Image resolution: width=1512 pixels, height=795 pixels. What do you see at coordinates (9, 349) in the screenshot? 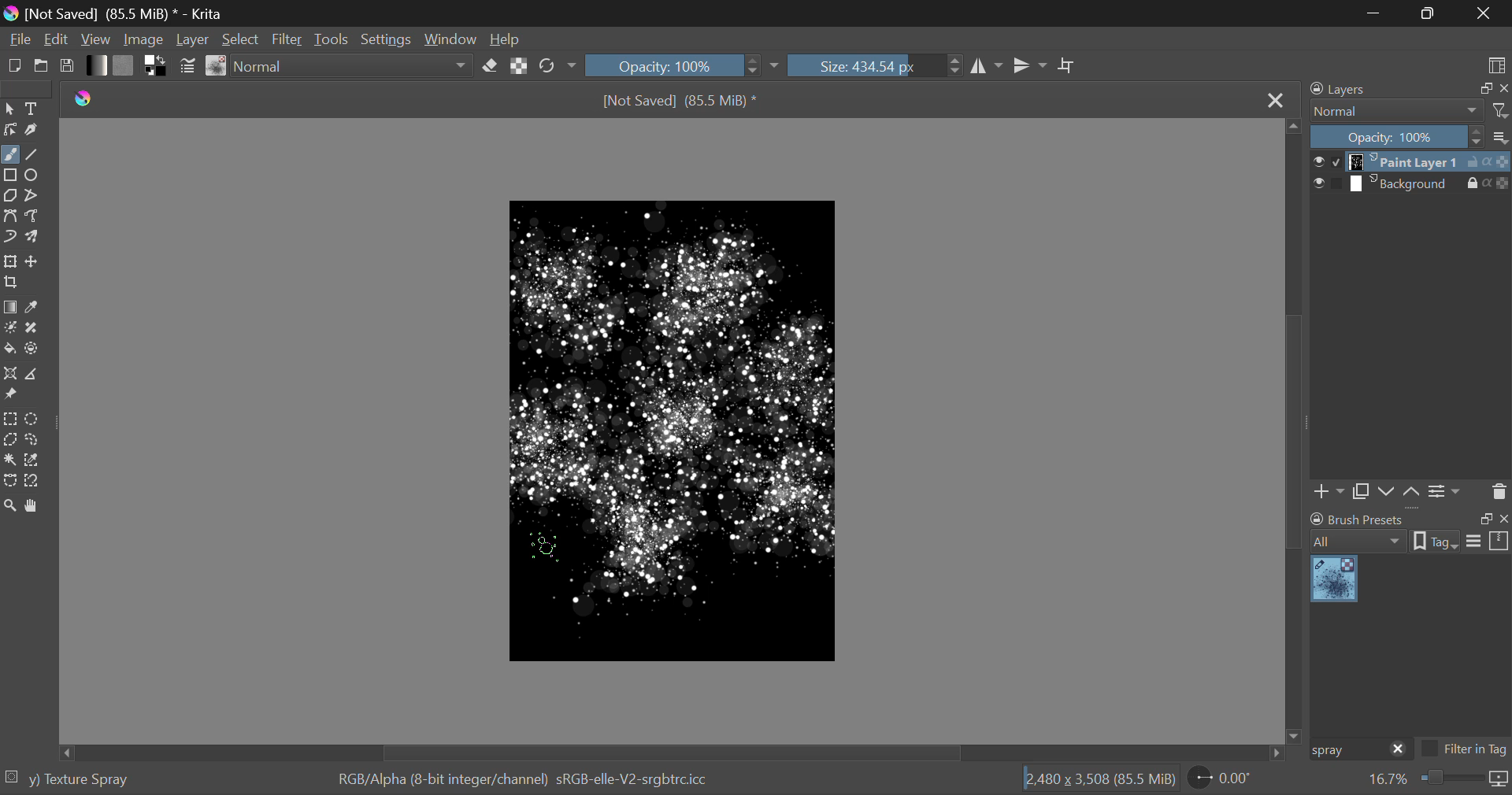
I see `Fill` at bounding box center [9, 349].